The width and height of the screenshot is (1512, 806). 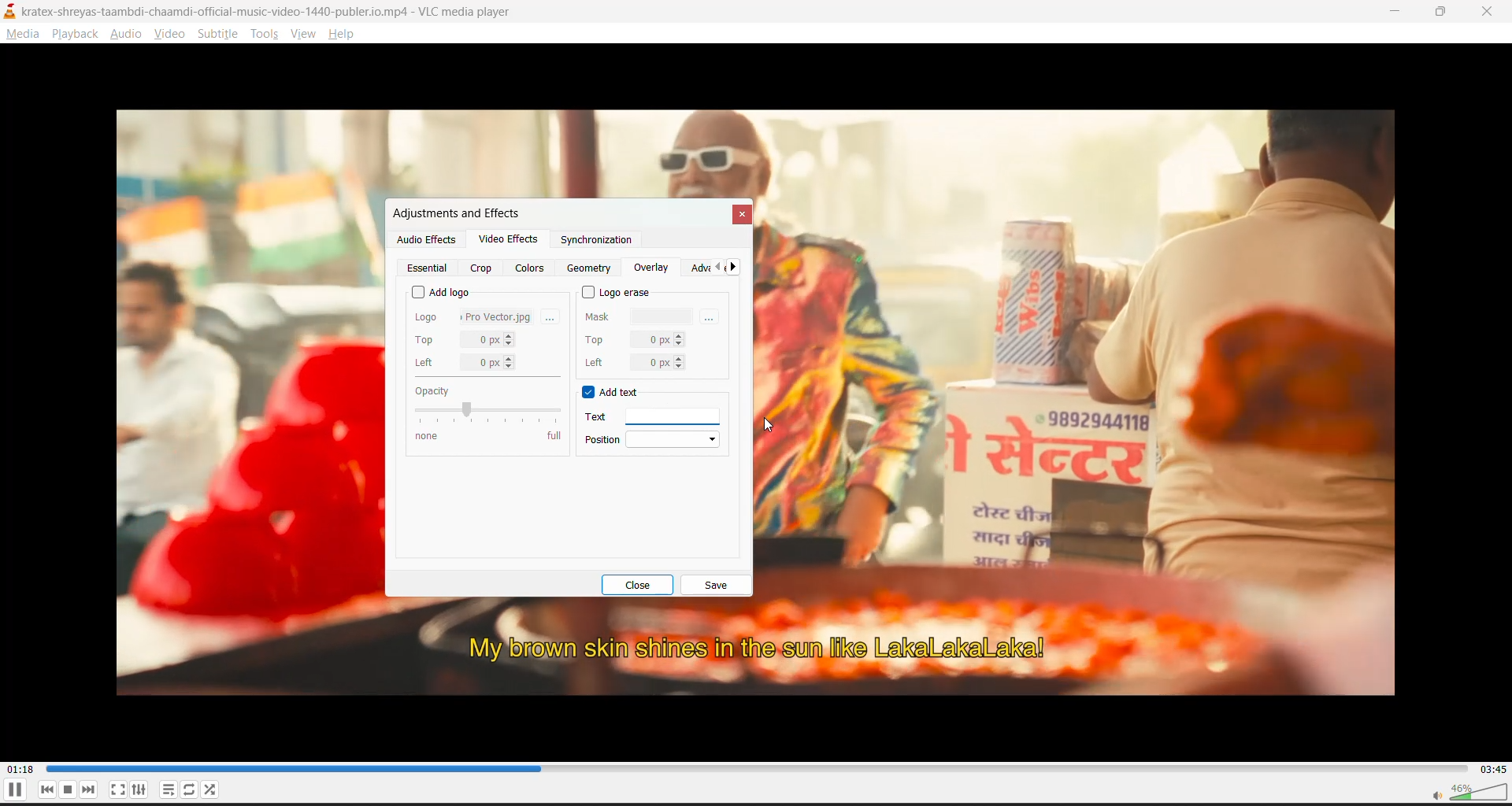 What do you see at coordinates (1467, 792) in the screenshot?
I see `volume` at bounding box center [1467, 792].